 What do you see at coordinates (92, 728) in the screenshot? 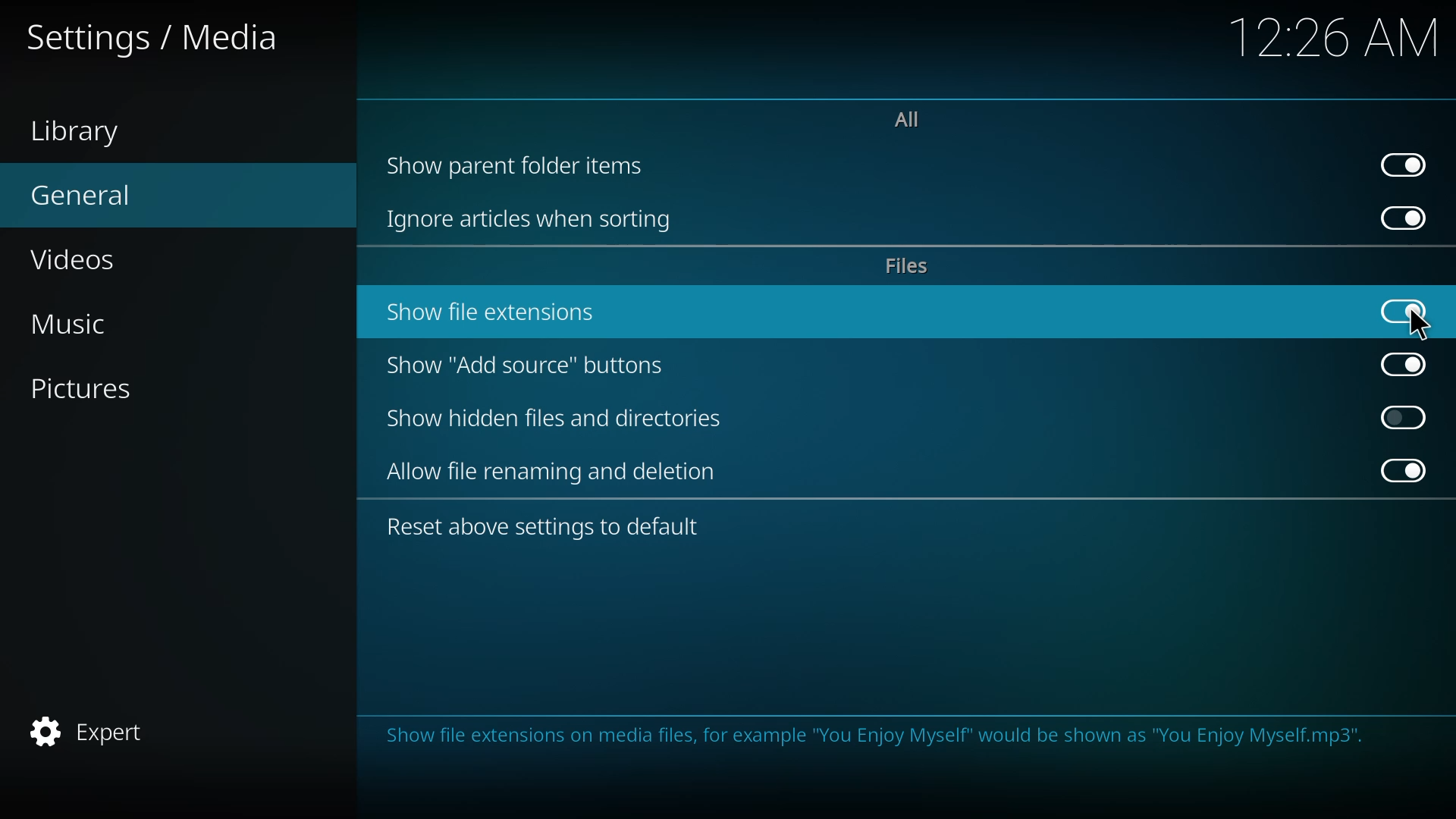
I see `expert` at bounding box center [92, 728].